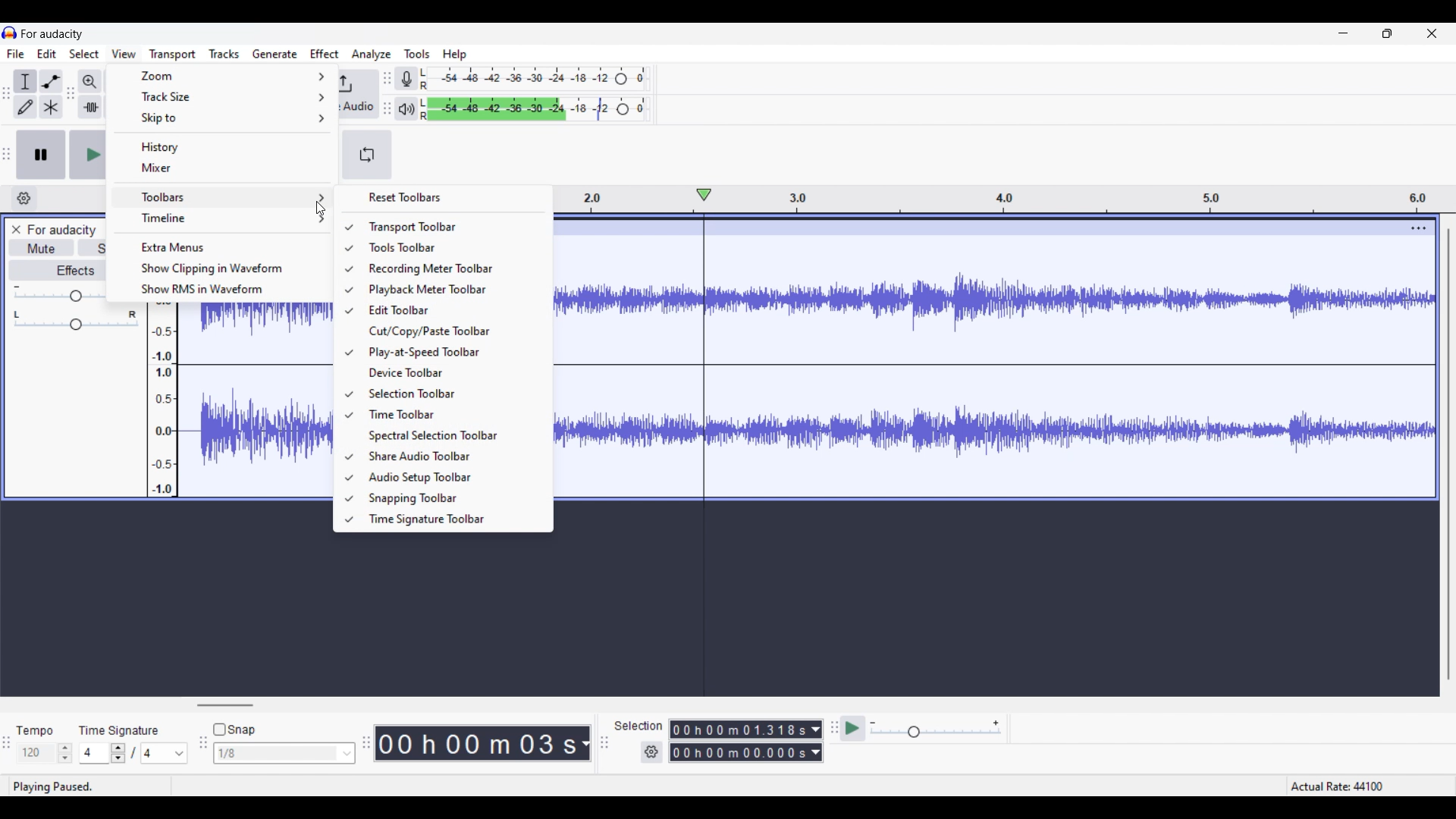 The width and height of the screenshot is (1456, 819). I want to click on Play at speed/Play at speed once, so click(852, 728).